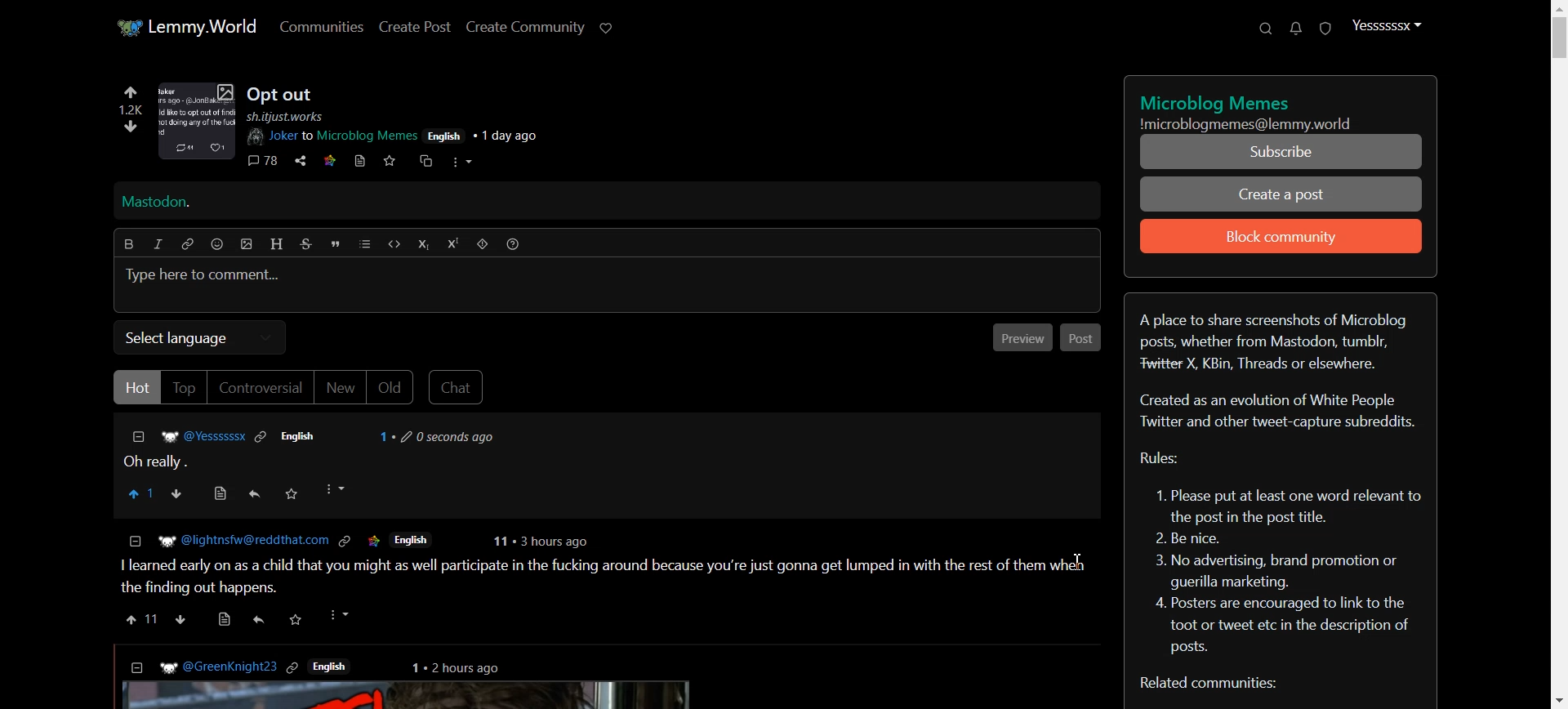 This screenshot has width=1568, height=709. I want to click on Post, so click(1083, 337).